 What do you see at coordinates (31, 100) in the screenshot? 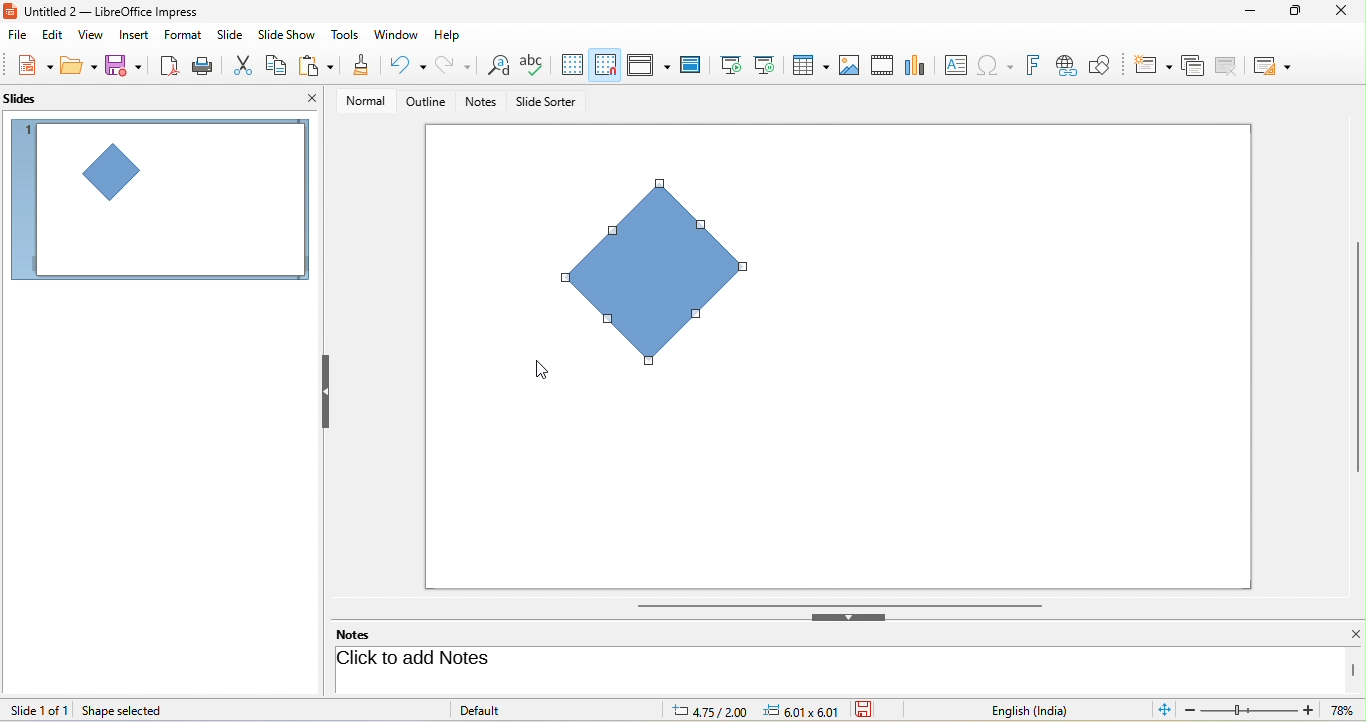
I see `slides` at bounding box center [31, 100].